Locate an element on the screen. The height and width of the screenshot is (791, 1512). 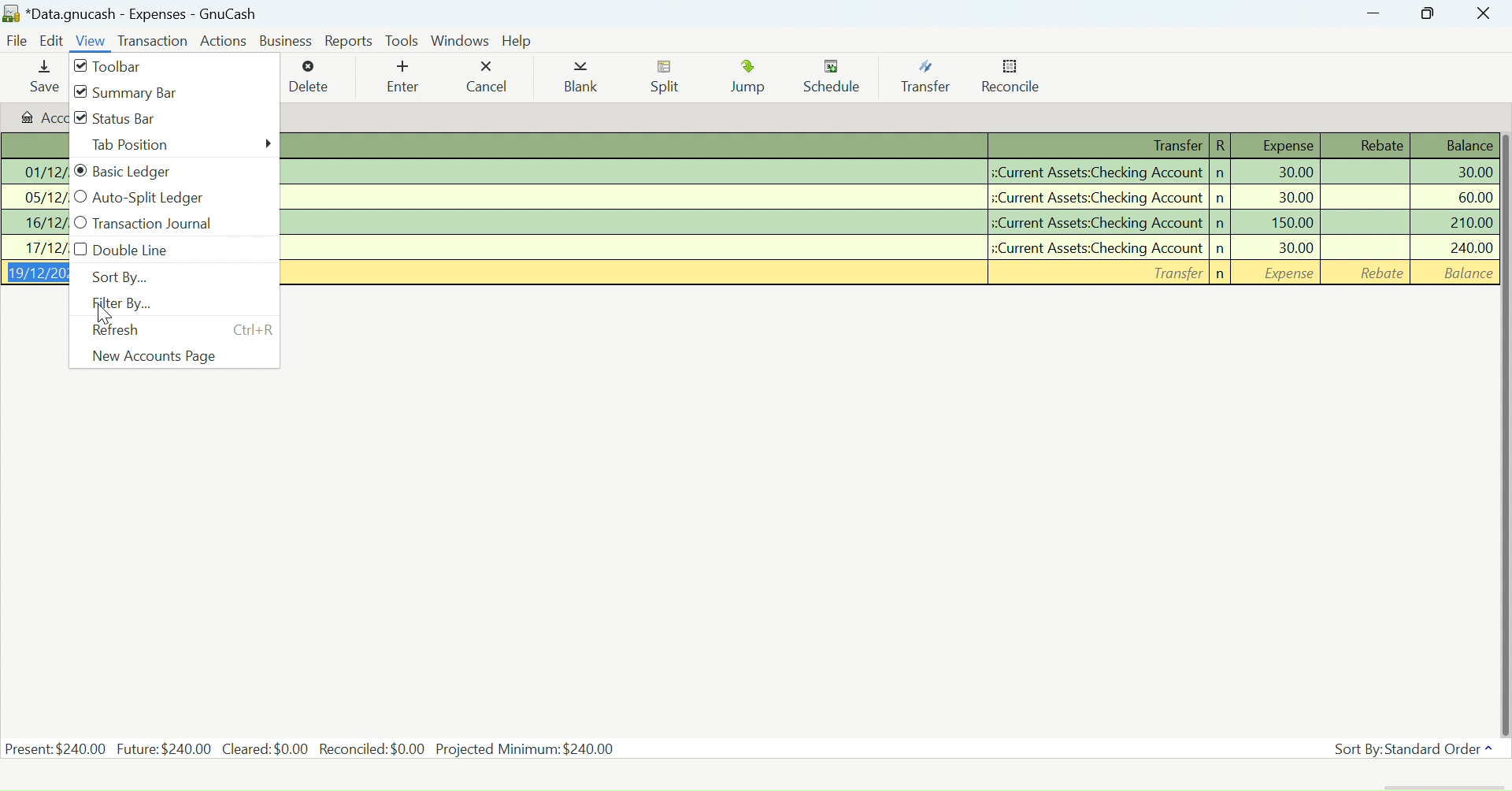
Split is located at coordinates (669, 79).